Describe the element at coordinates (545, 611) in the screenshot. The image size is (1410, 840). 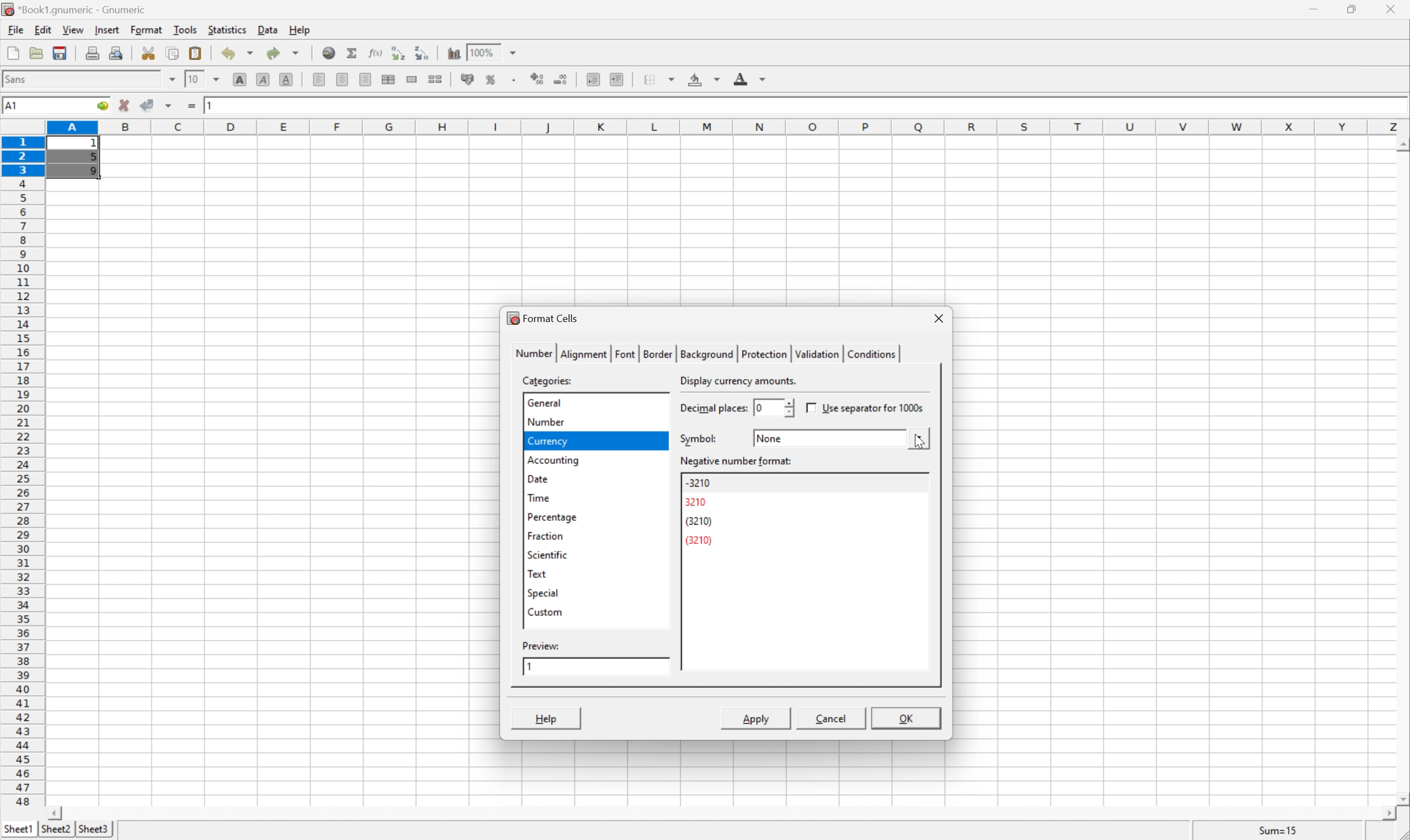
I see `custom` at that location.